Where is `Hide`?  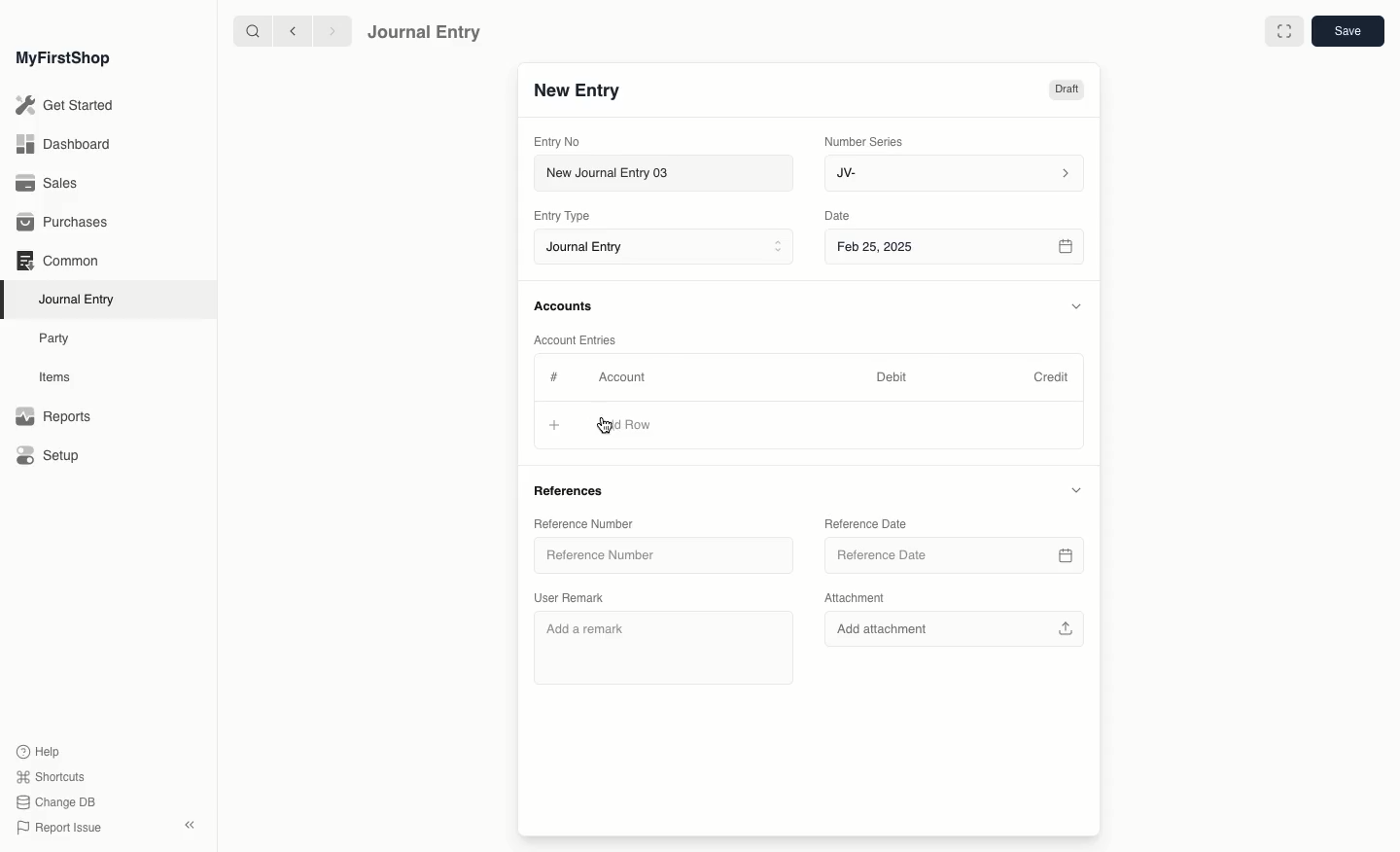 Hide is located at coordinates (1074, 306).